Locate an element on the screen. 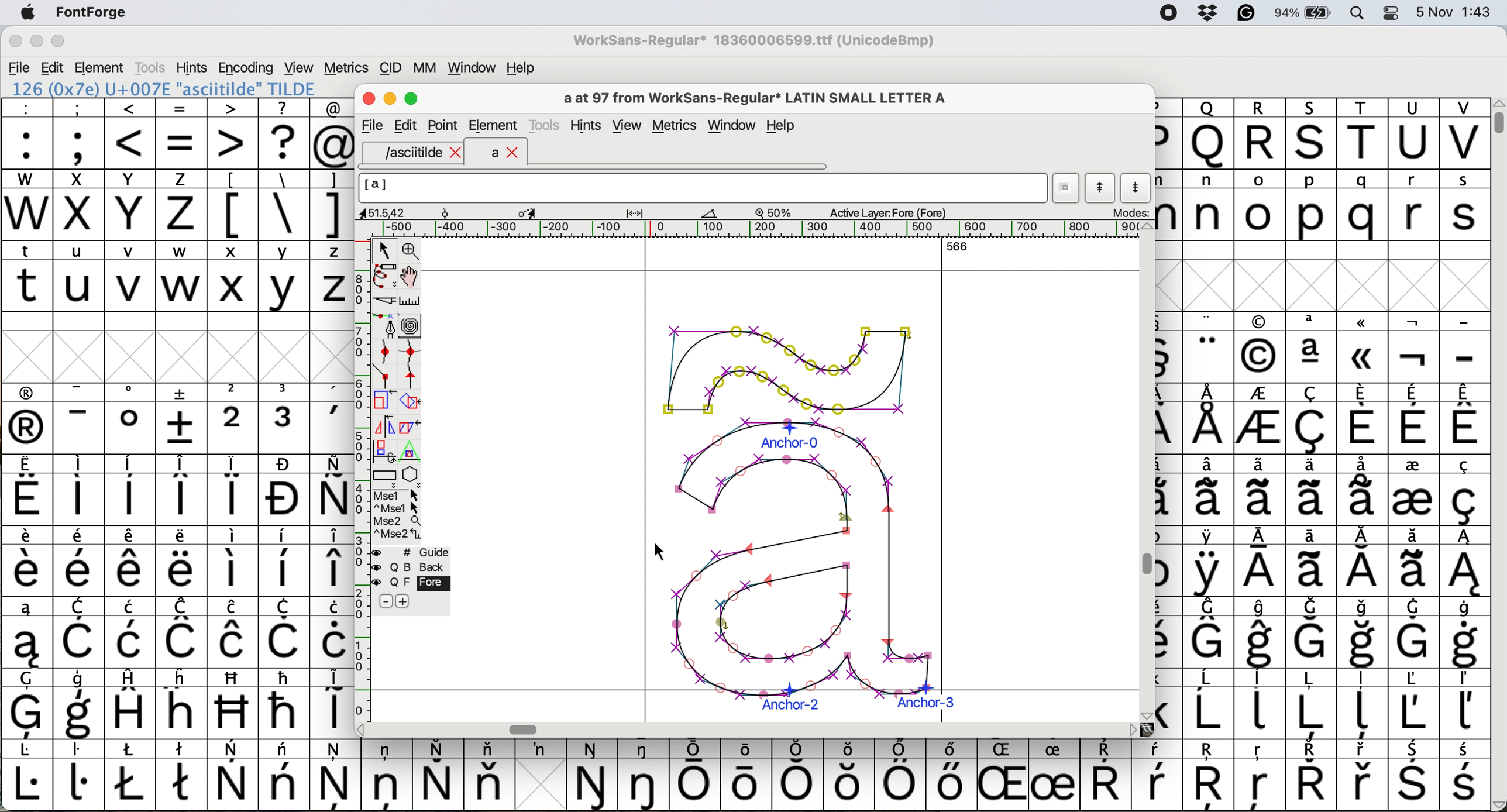 This screenshot has width=1507, height=812. maximise is located at coordinates (59, 44).